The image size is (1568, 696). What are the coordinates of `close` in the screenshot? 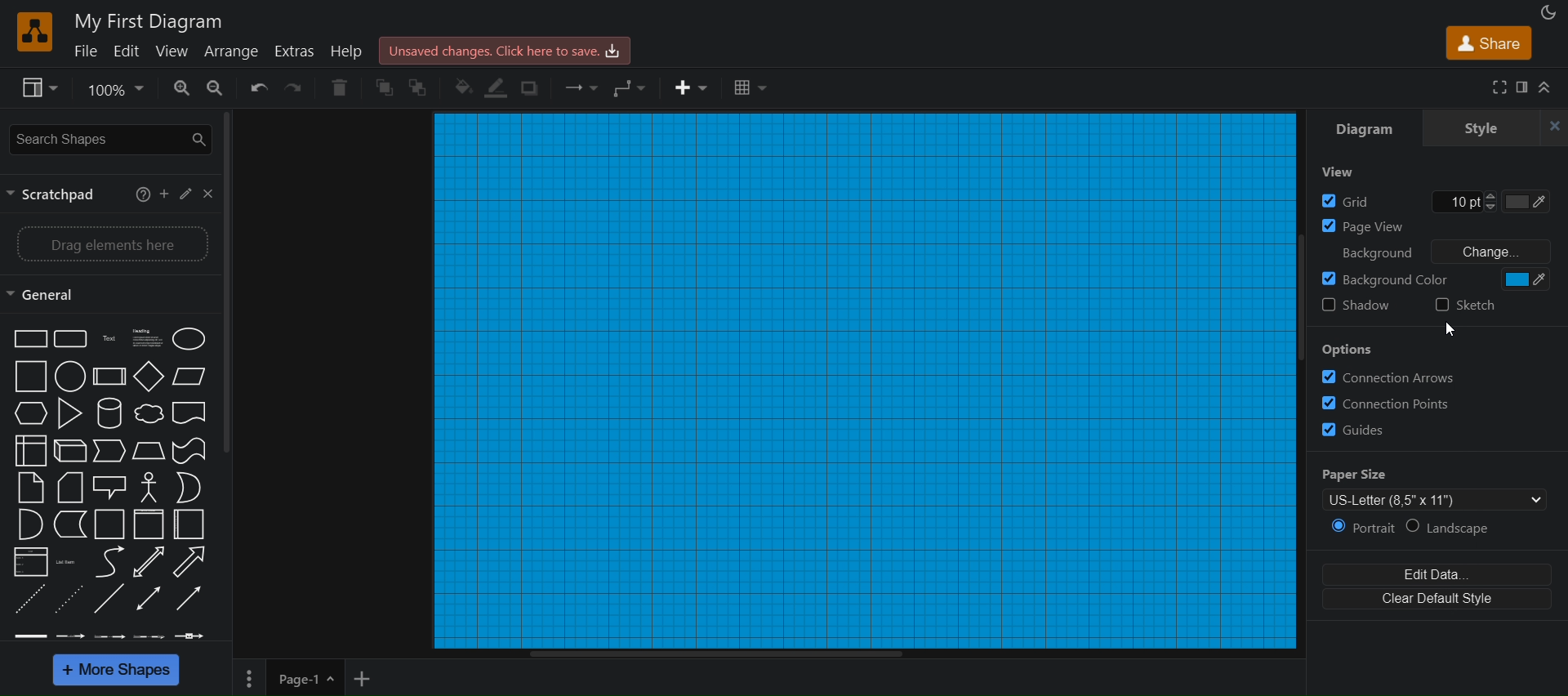 It's located at (208, 194).